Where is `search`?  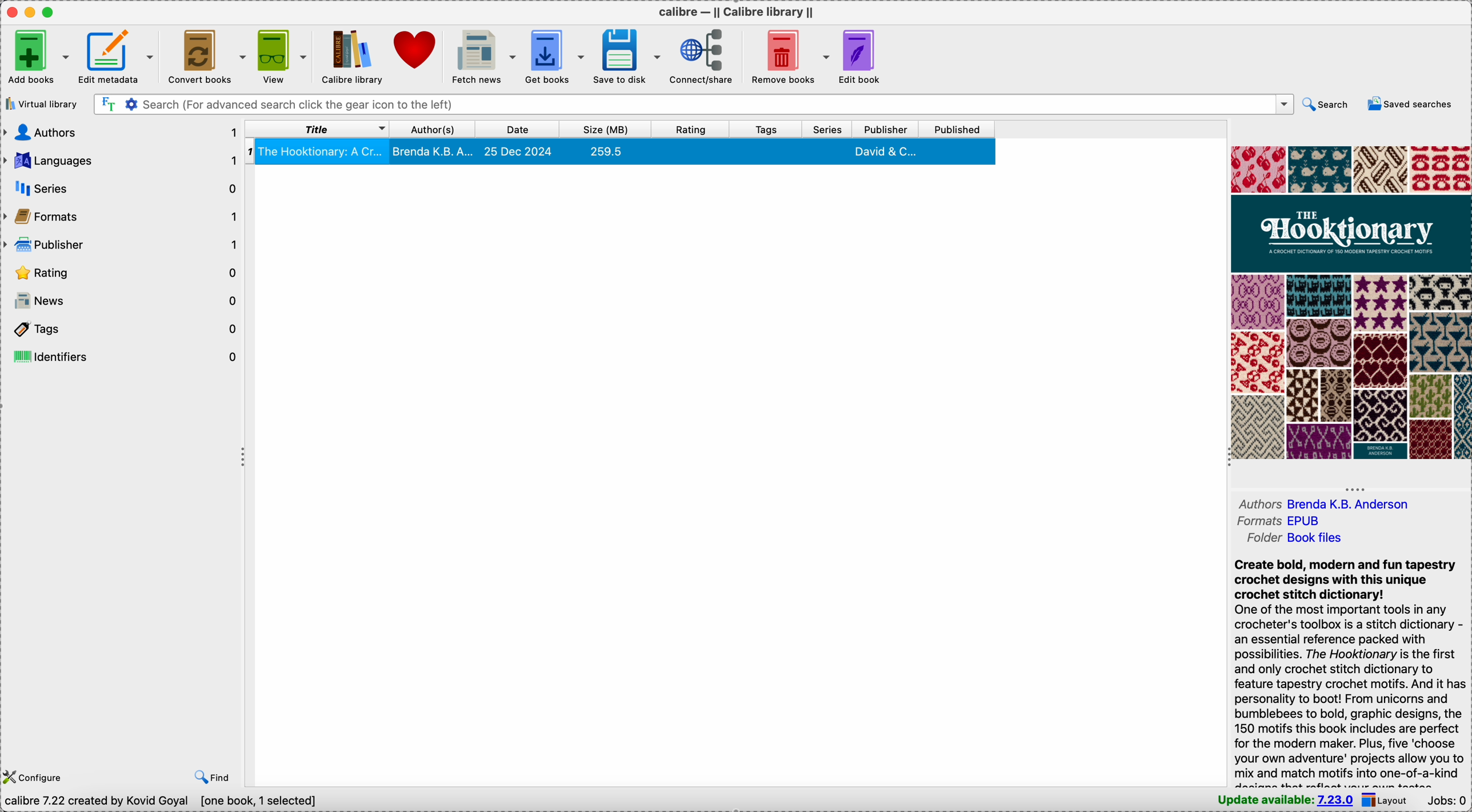
search is located at coordinates (1327, 103).